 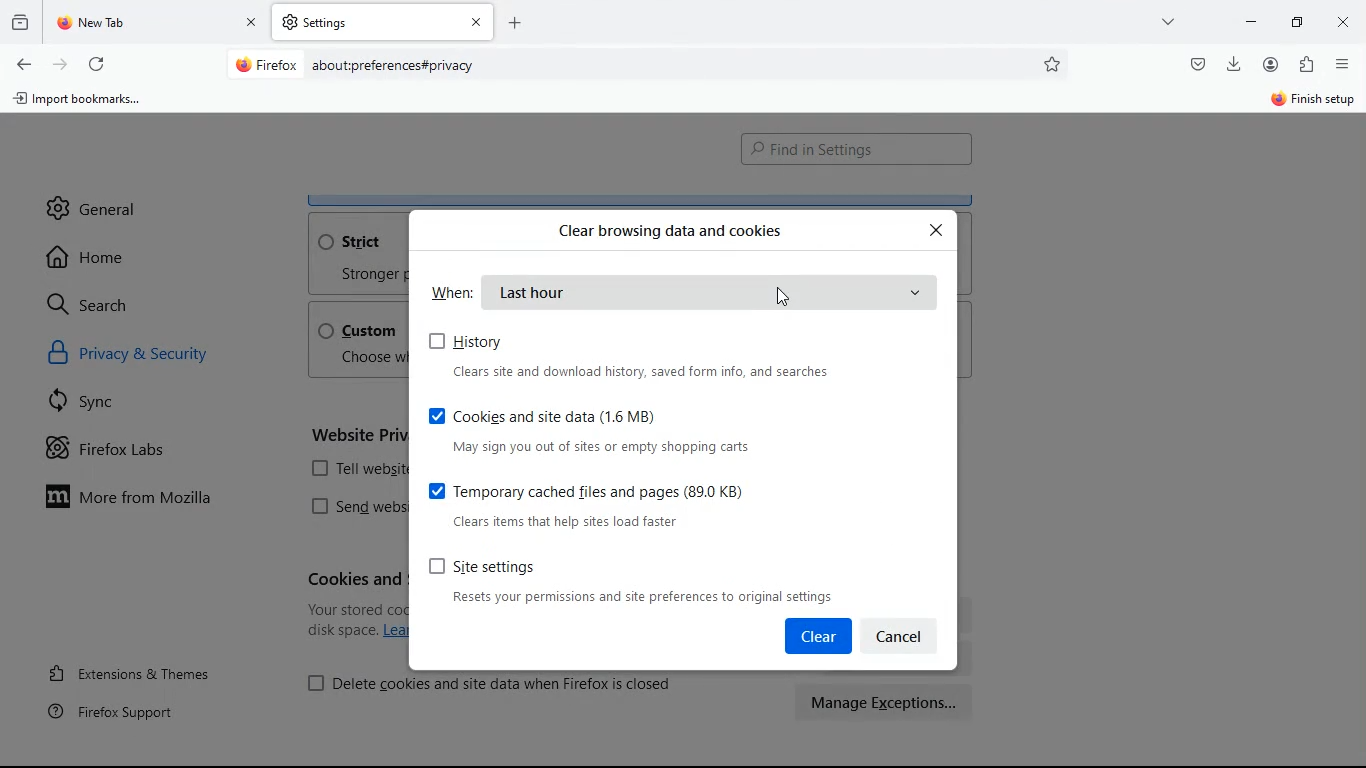 I want to click on forward, so click(x=60, y=63).